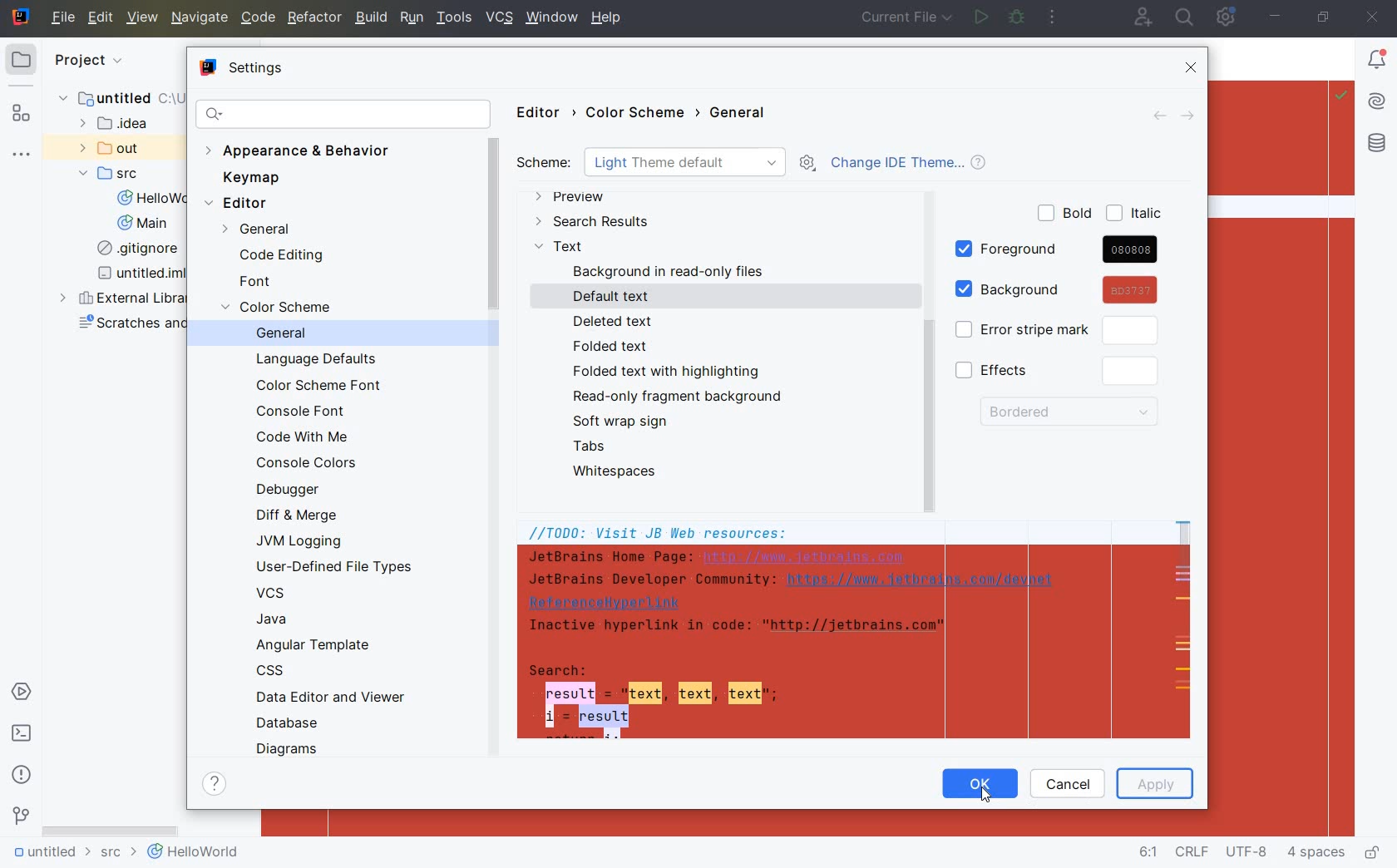 The height and width of the screenshot is (868, 1397). Describe the element at coordinates (1316, 855) in the screenshot. I see `indent` at that location.